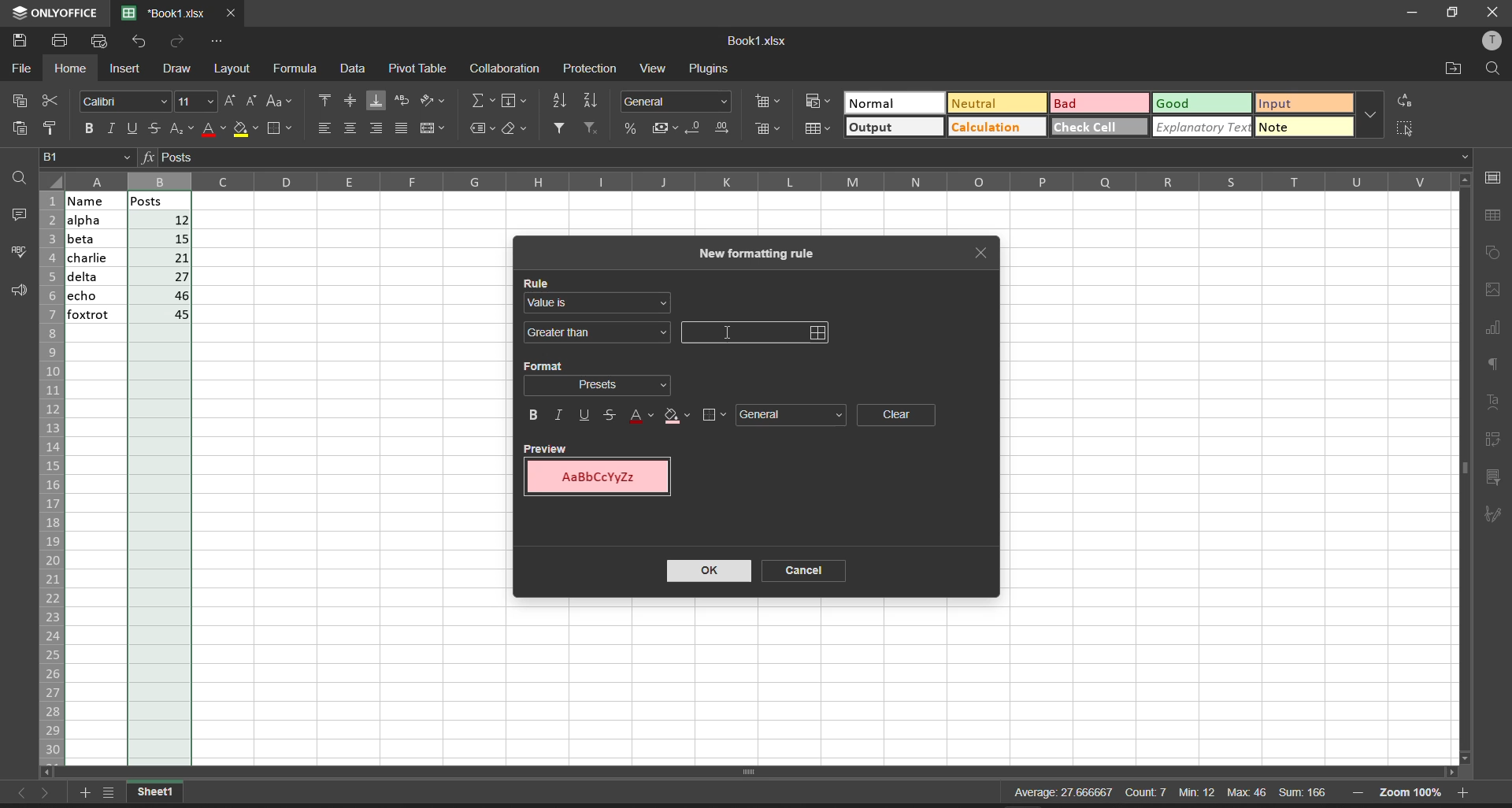 Image resolution: width=1512 pixels, height=808 pixels. I want to click on open file location, so click(1454, 70).